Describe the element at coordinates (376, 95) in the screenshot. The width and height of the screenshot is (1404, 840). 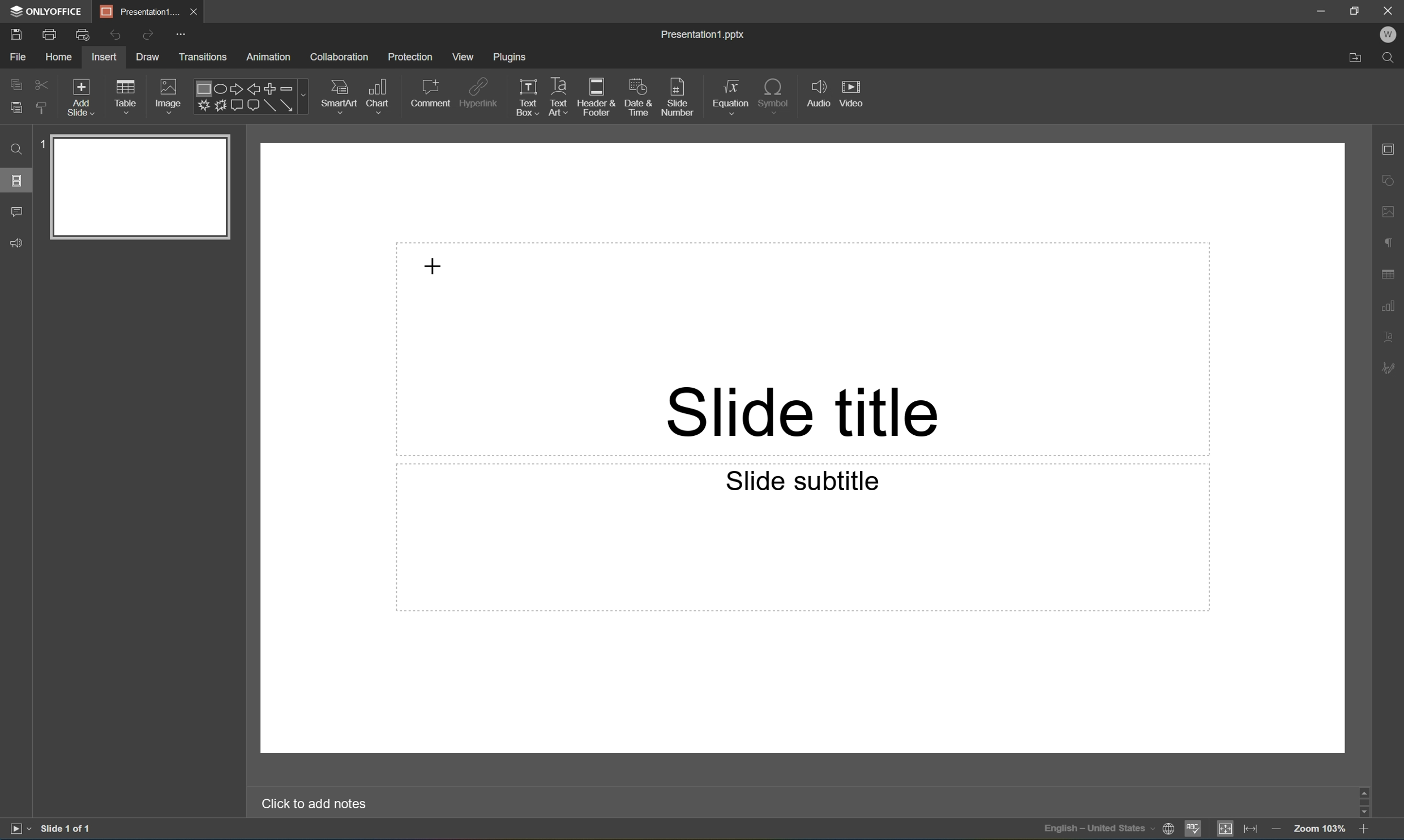
I see `Chart` at that location.